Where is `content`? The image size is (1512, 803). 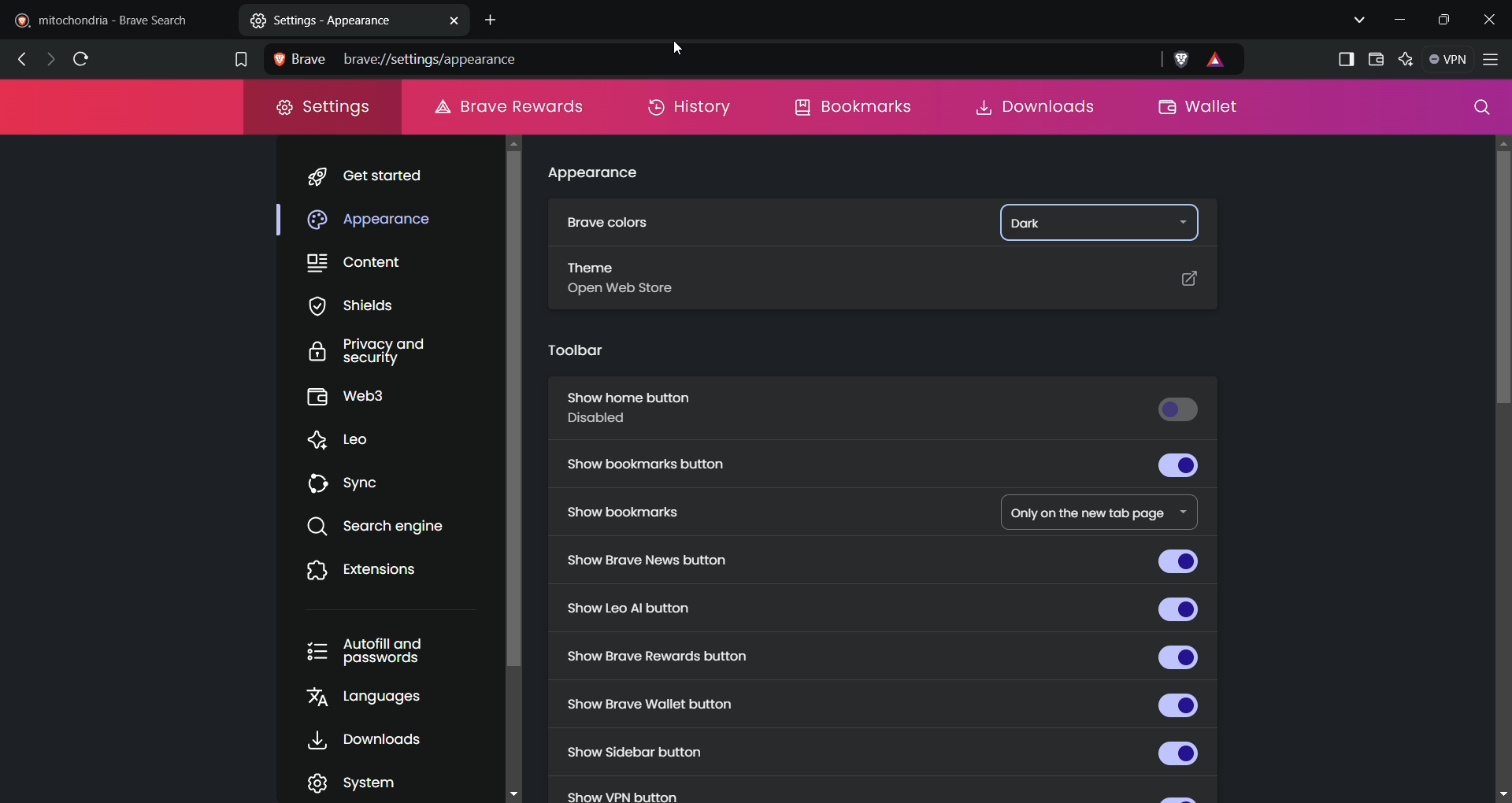
content is located at coordinates (362, 266).